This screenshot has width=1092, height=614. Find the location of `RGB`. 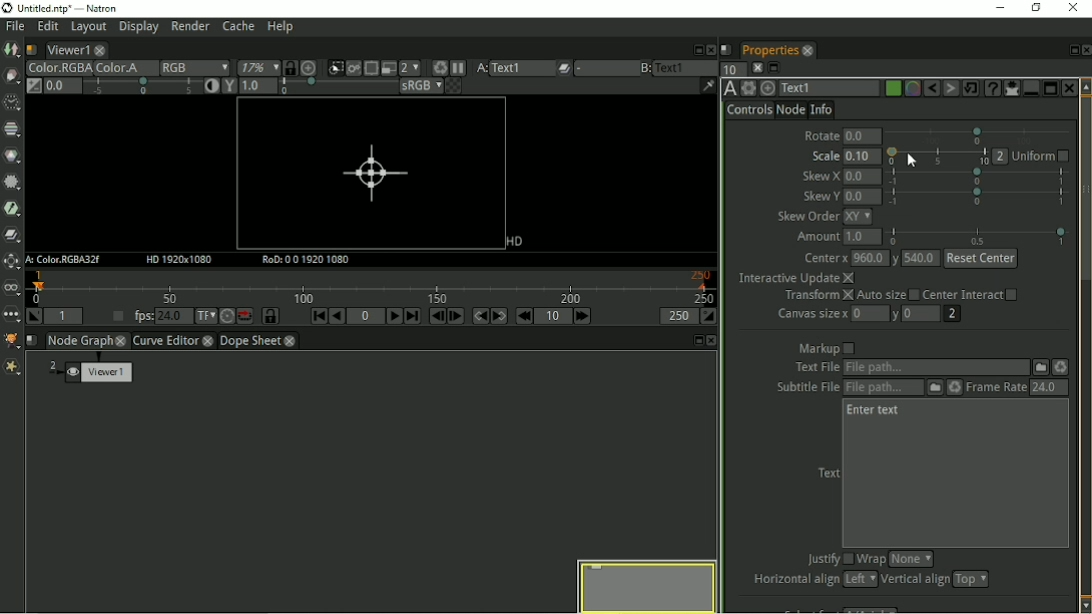

RGB is located at coordinates (195, 66).